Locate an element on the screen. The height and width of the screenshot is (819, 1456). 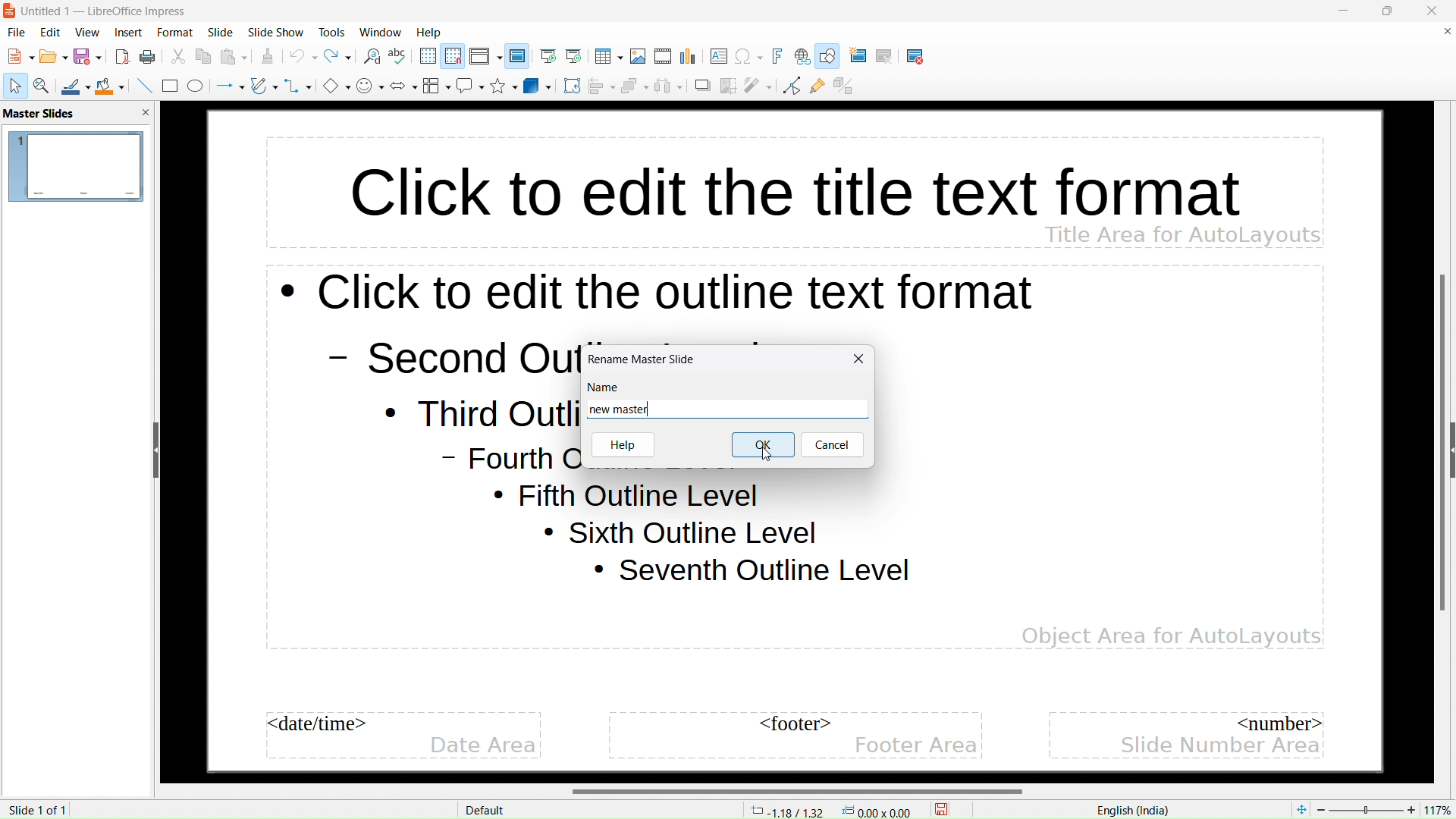
insert line is located at coordinates (144, 85).